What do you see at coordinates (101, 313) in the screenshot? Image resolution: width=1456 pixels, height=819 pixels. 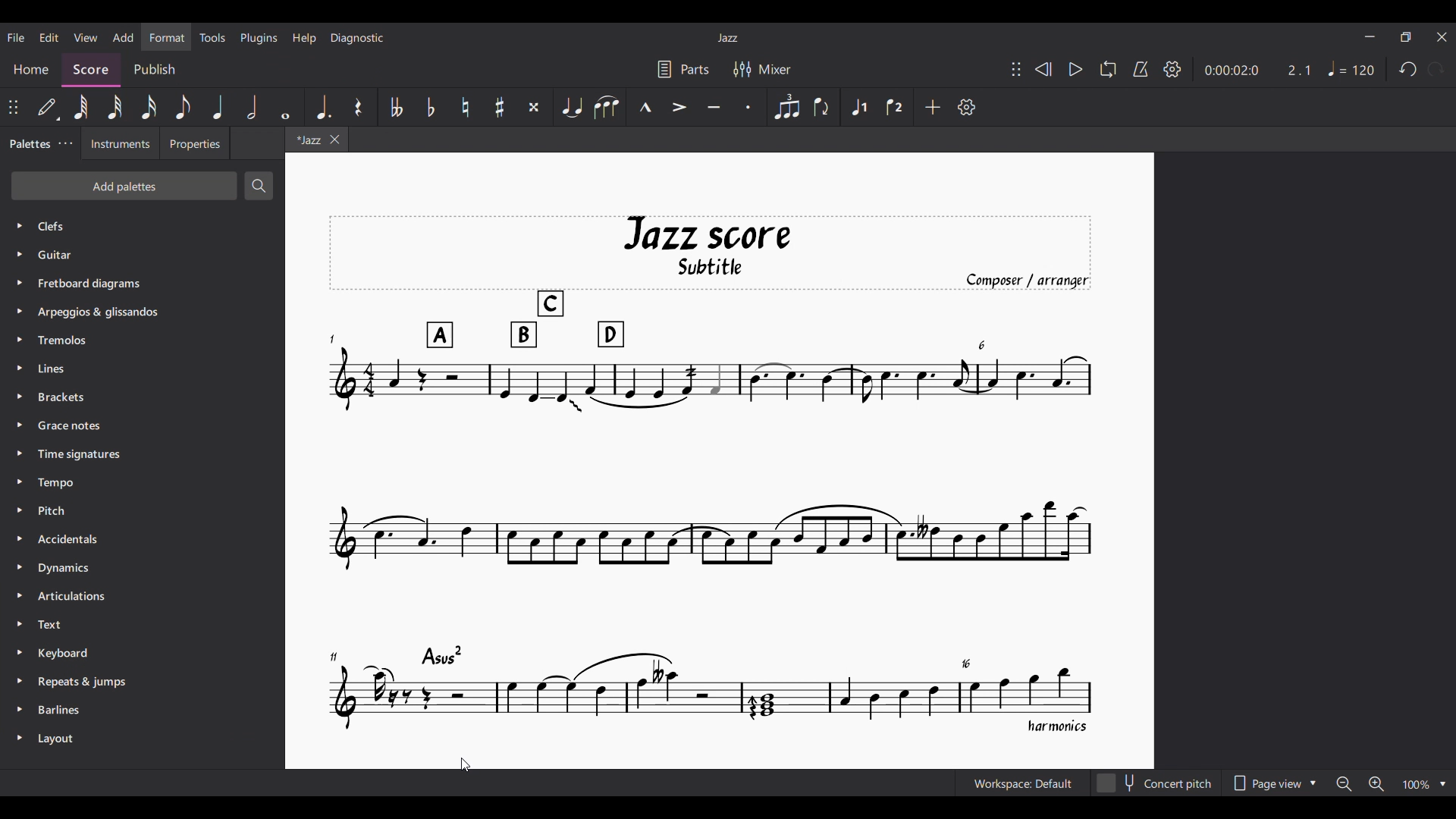 I see `Arpeggios` at bounding box center [101, 313].